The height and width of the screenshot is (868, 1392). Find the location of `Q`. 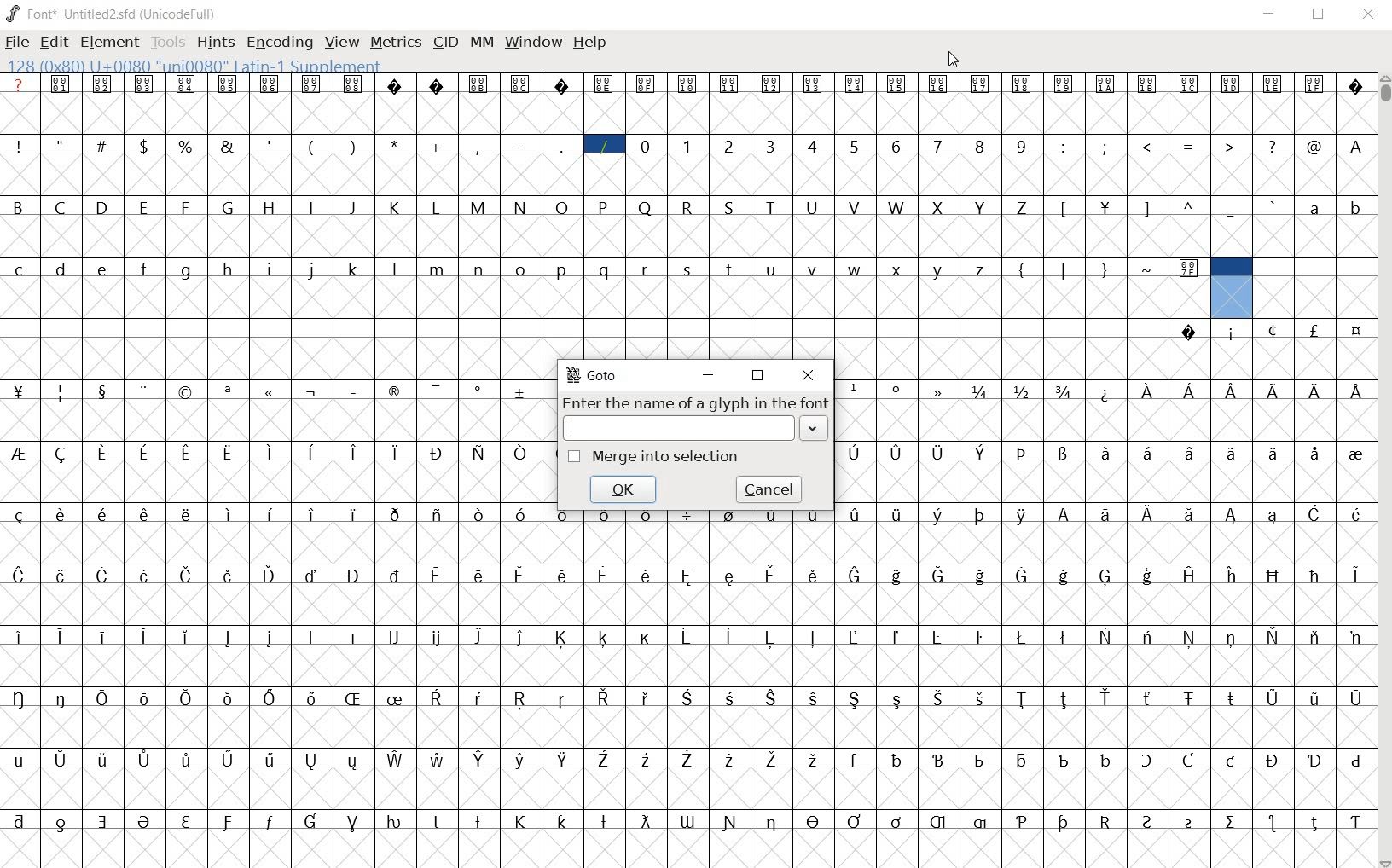

Q is located at coordinates (647, 205).